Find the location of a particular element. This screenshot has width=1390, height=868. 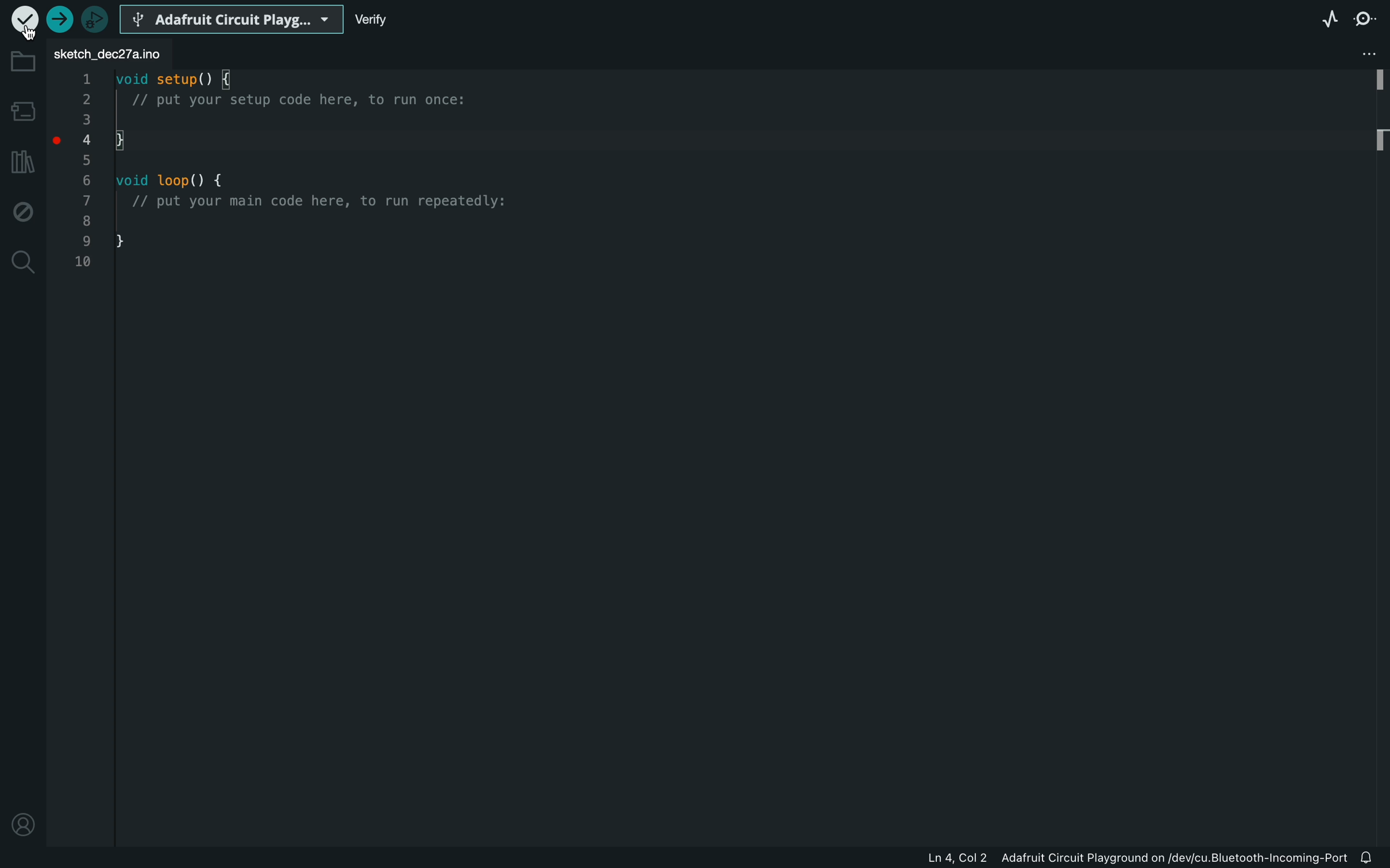

click is located at coordinates (61, 146).